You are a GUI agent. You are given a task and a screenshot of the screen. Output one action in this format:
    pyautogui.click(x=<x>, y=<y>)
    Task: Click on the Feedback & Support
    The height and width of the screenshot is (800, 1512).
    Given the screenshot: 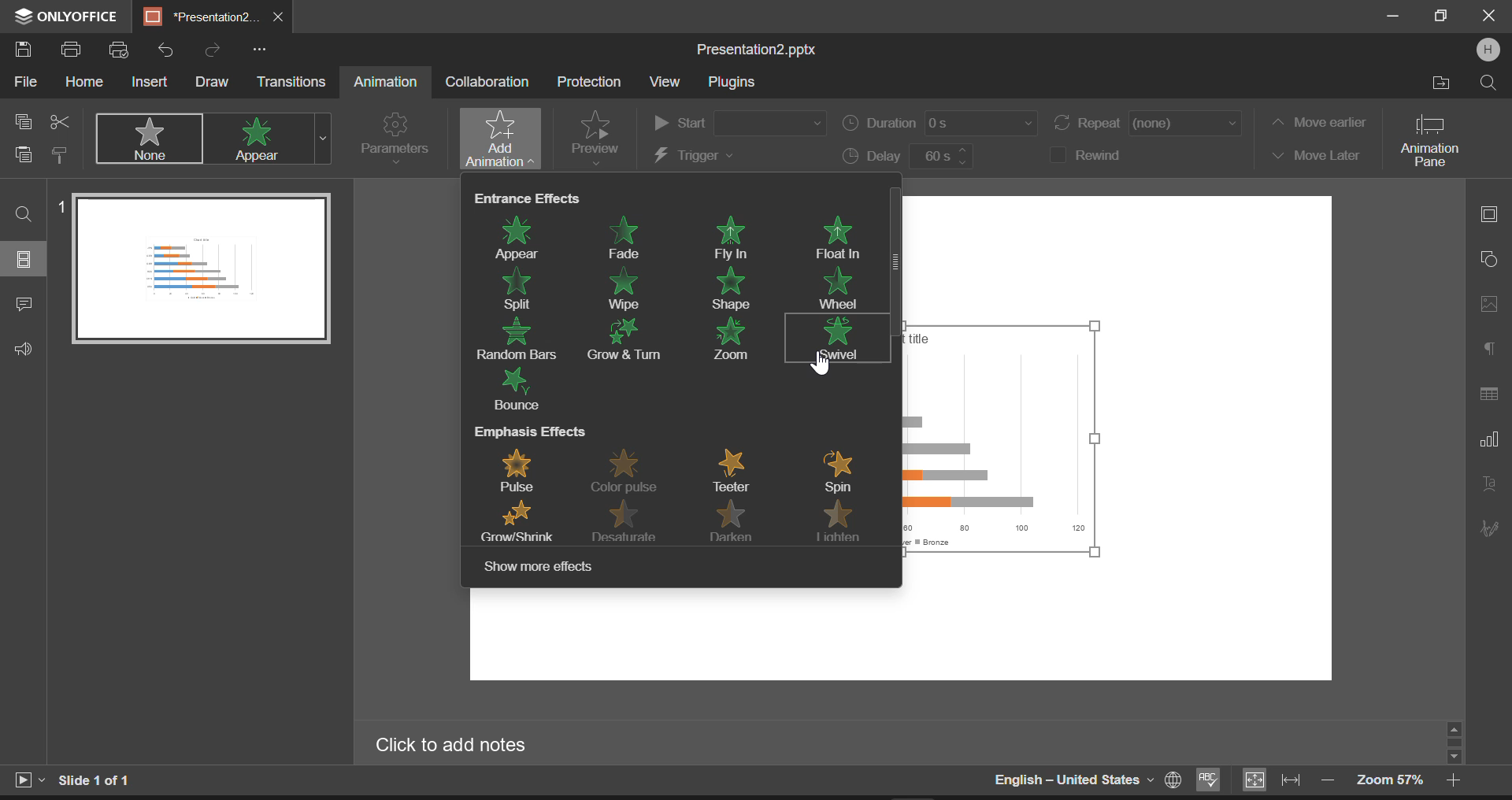 What is the action you would take?
    pyautogui.click(x=23, y=350)
    